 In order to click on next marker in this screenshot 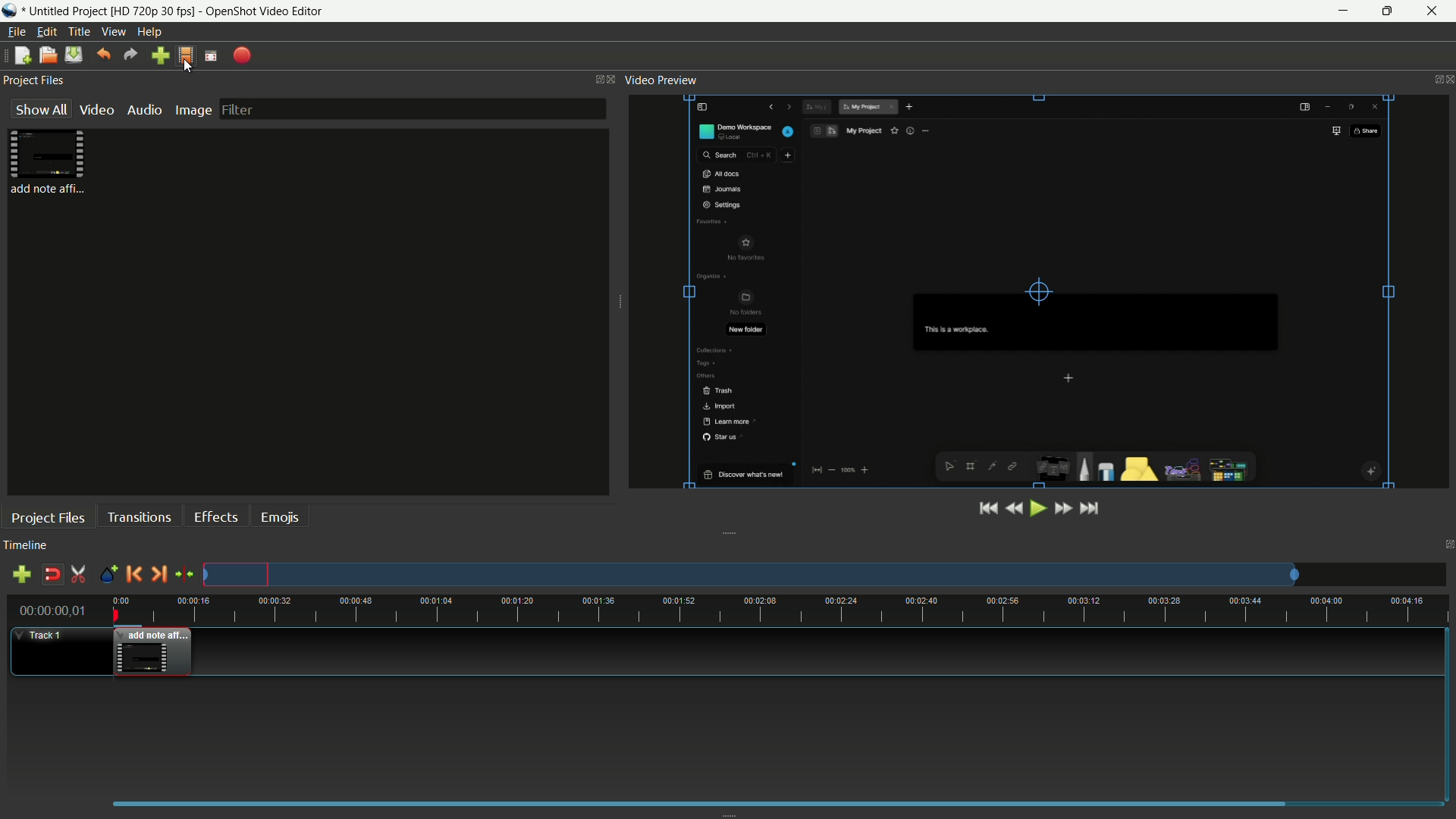, I will do `click(159, 574)`.